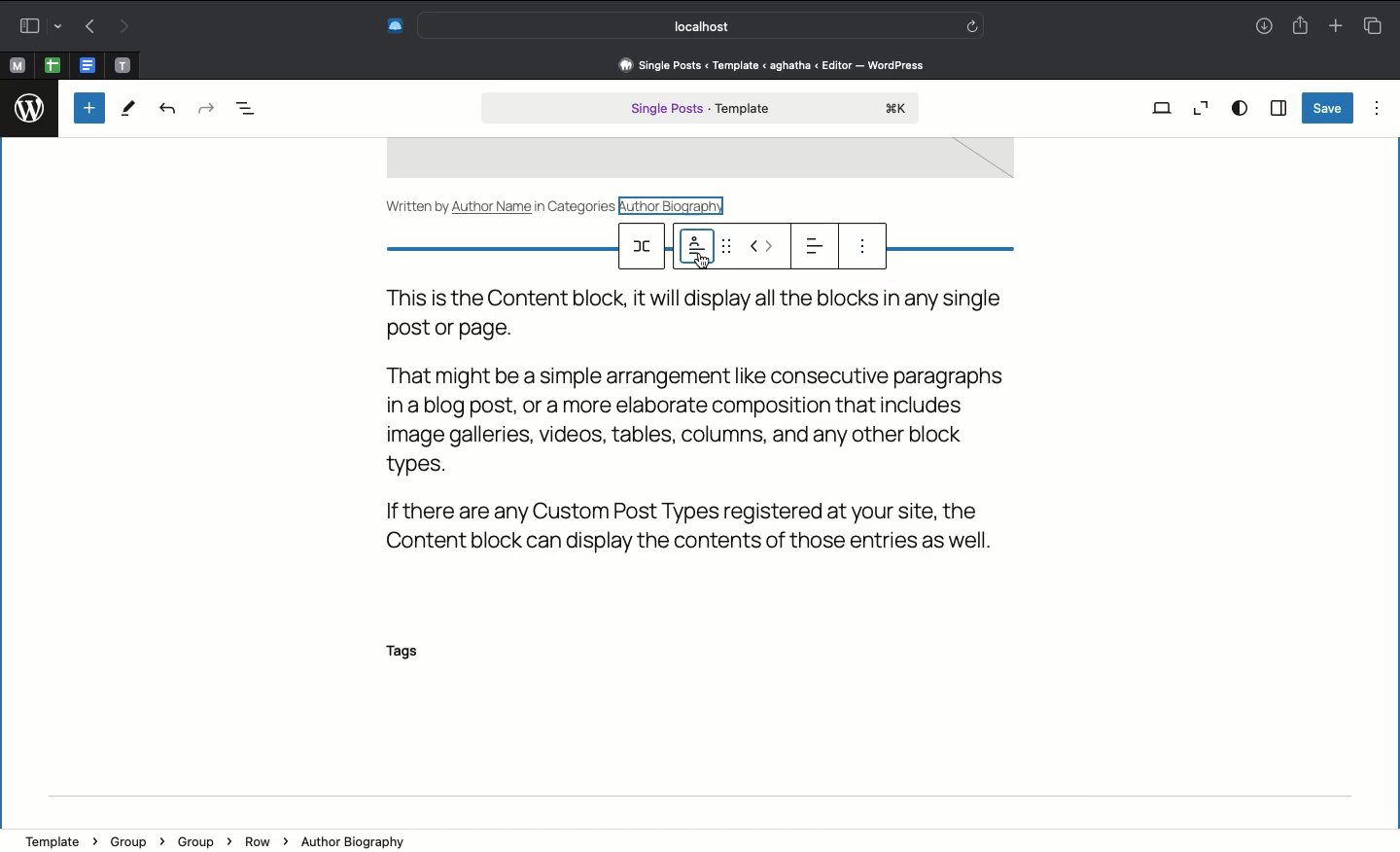  What do you see at coordinates (393, 25) in the screenshot?
I see `Extensions` at bounding box center [393, 25].